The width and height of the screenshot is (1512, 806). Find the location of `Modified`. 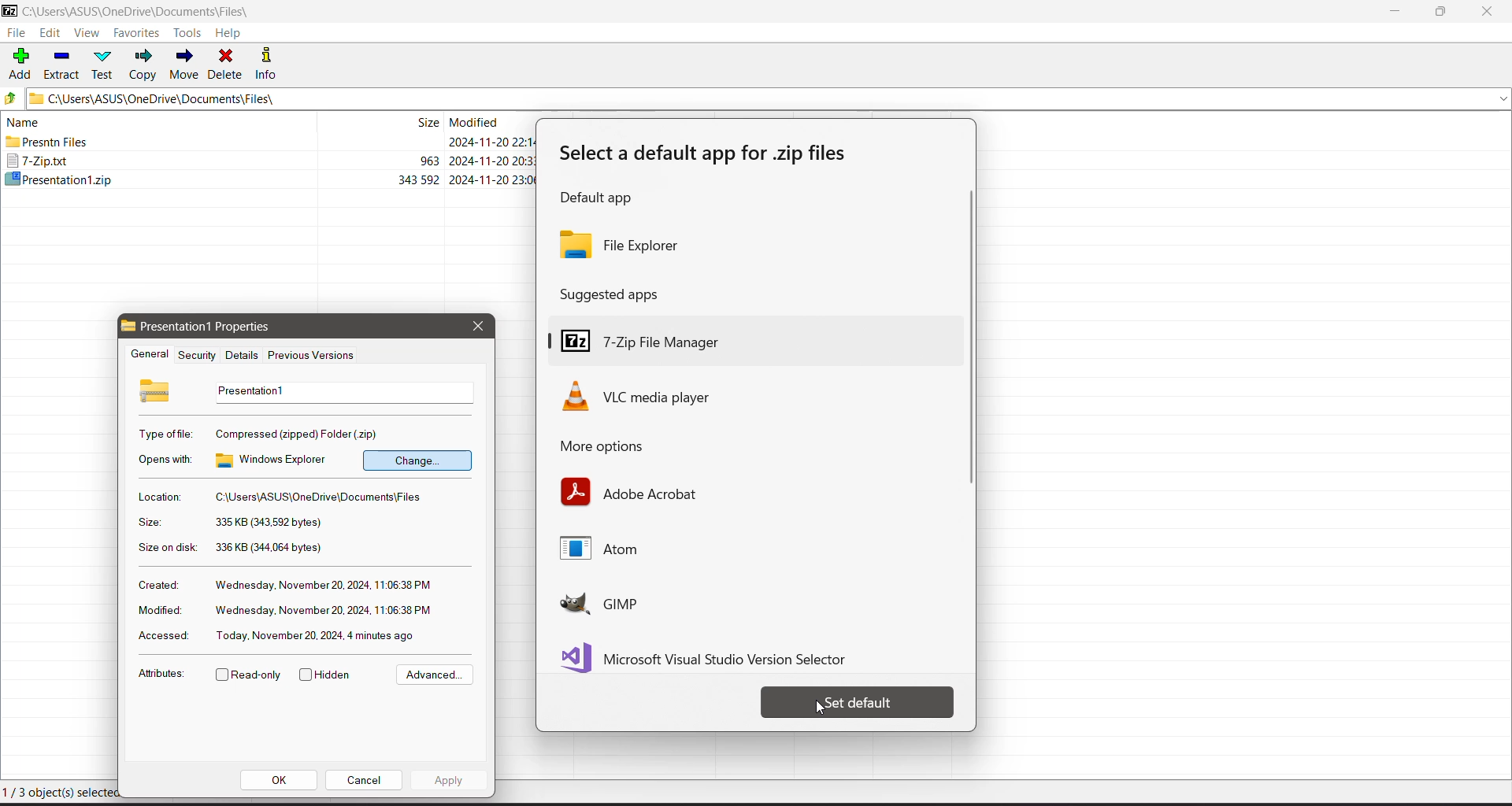

Modified is located at coordinates (157, 610).